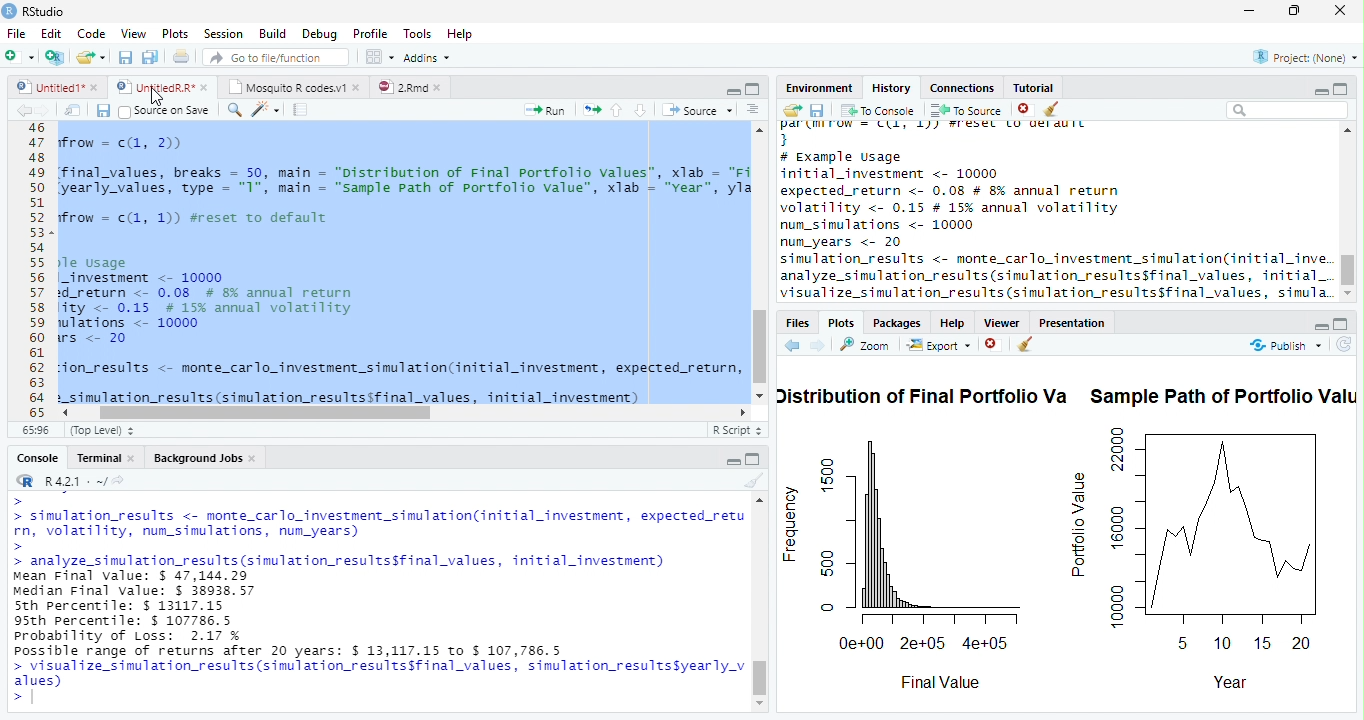 The width and height of the screenshot is (1364, 720). What do you see at coordinates (1321, 90) in the screenshot?
I see `Hide` at bounding box center [1321, 90].